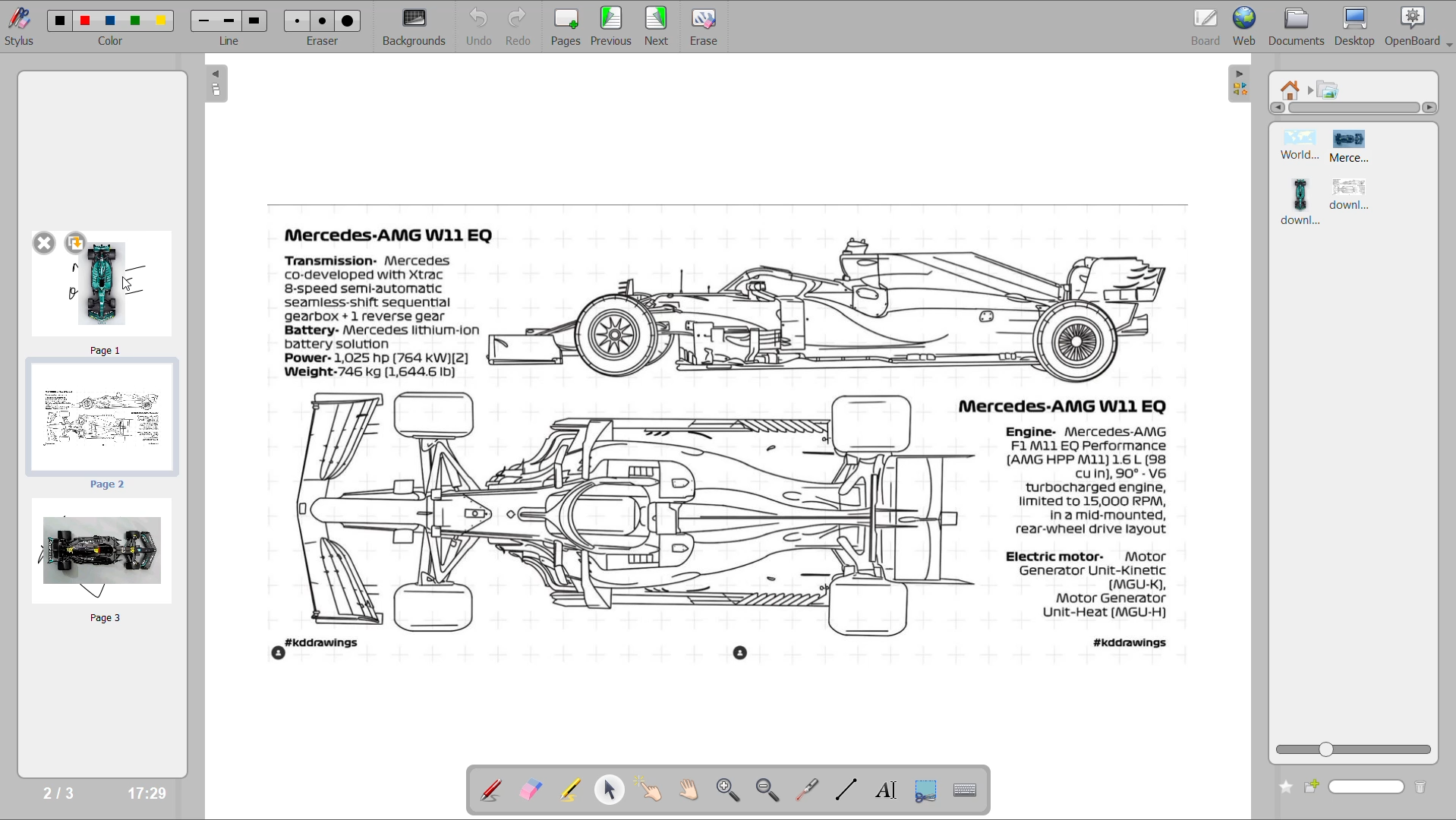 The height and width of the screenshot is (820, 1456). What do you see at coordinates (110, 20) in the screenshot?
I see `color 3` at bounding box center [110, 20].